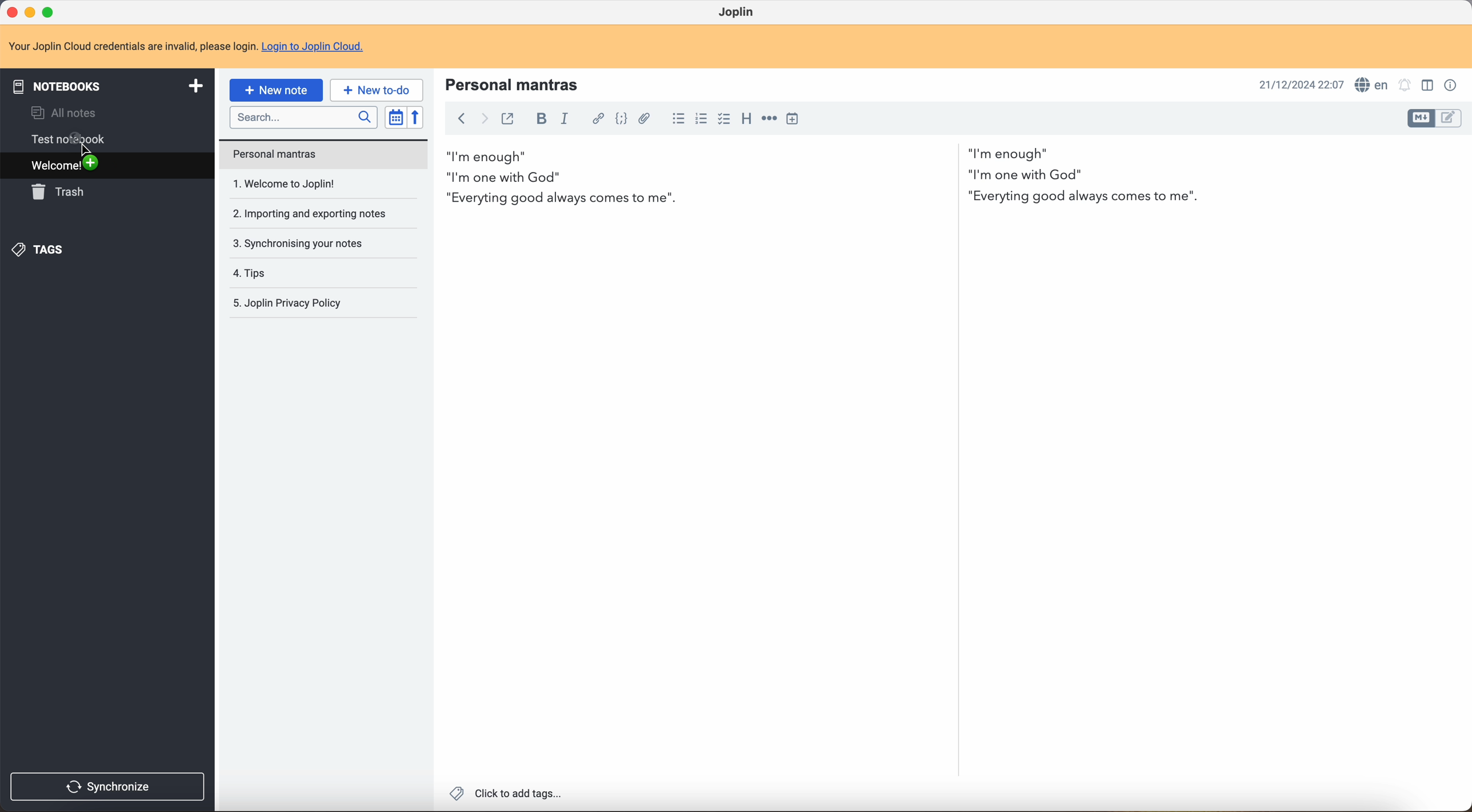  What do you see at coordinates (746, 121) in the screenshot?
I see `heading` at bounding box center [746, 121].